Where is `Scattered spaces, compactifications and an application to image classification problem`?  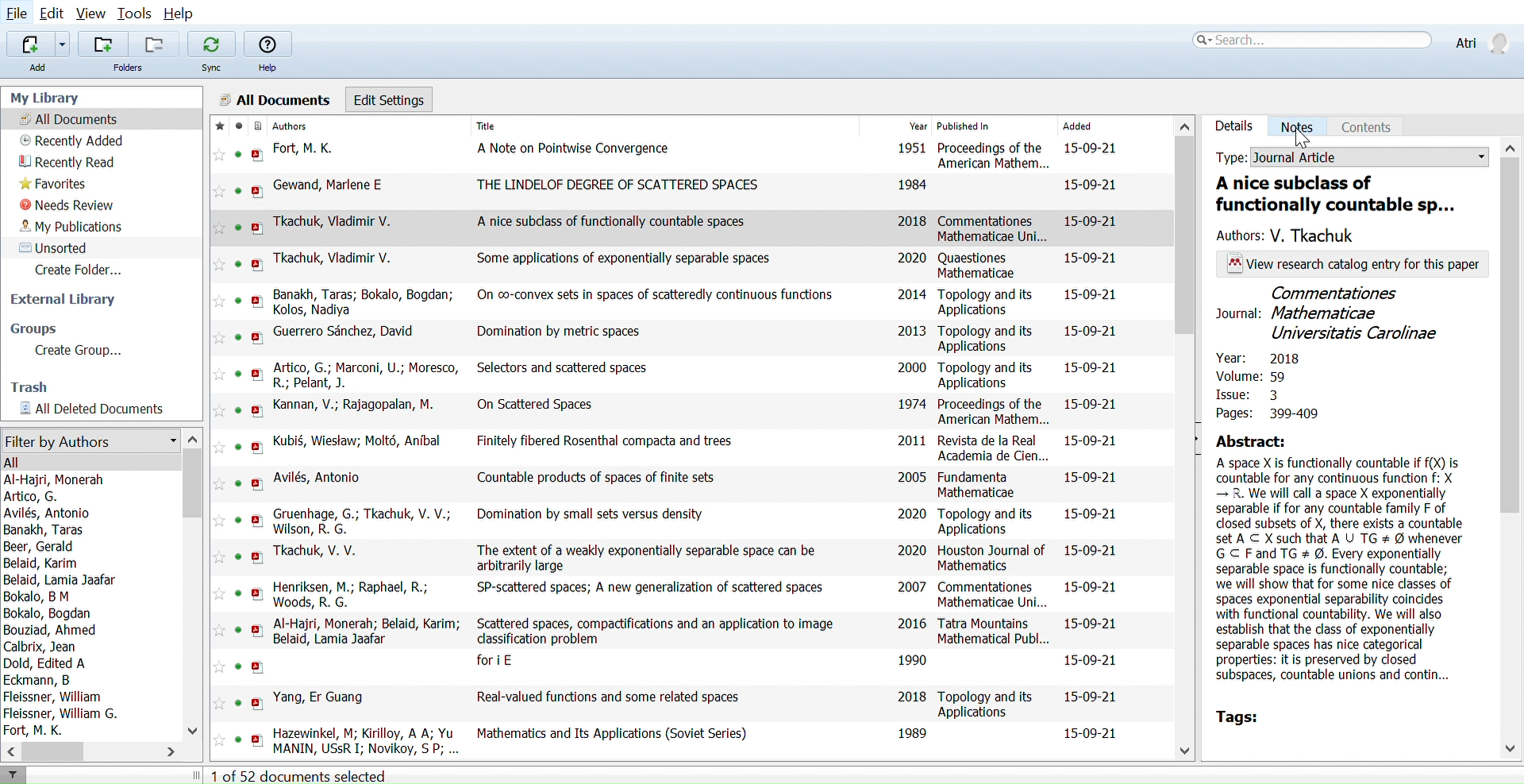
Scattered spaces, compactifications and an application to image classification problem is located at coordinates (658, 632).